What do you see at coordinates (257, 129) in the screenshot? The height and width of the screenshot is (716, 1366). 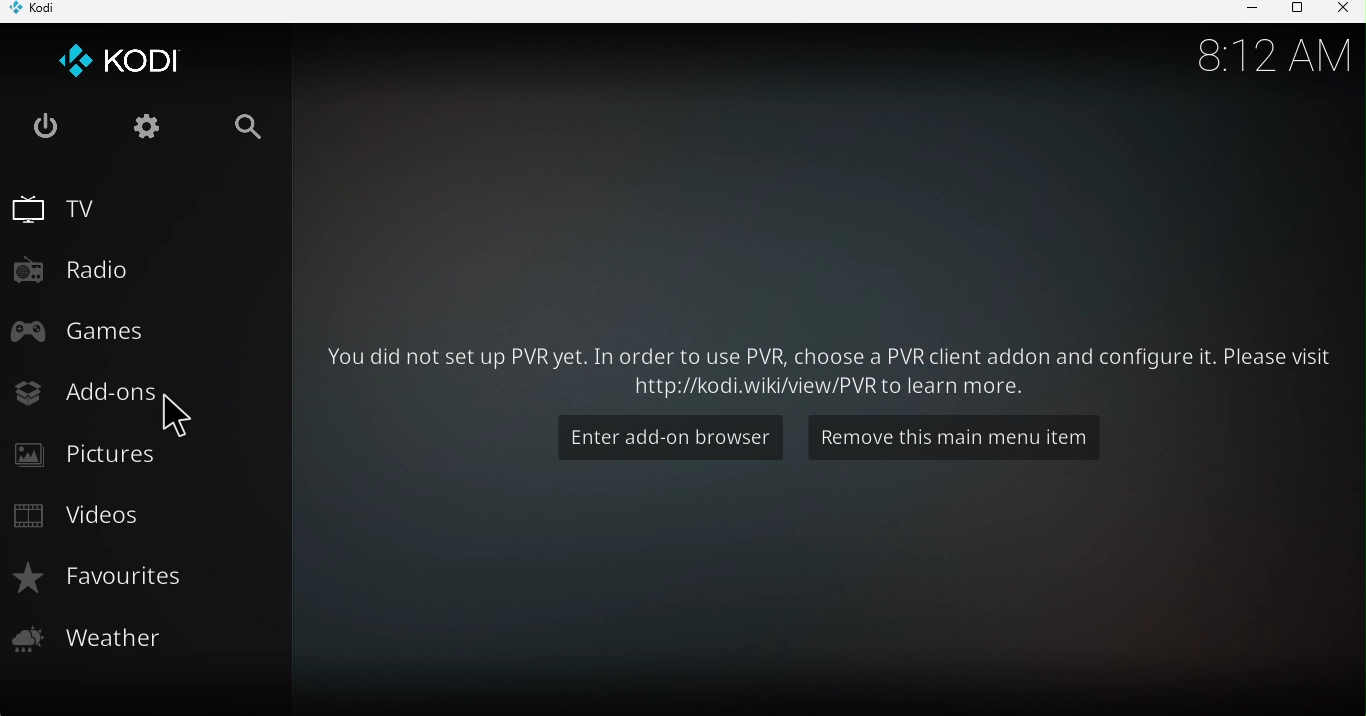 I see `Search` at bounding box center [257, 129].